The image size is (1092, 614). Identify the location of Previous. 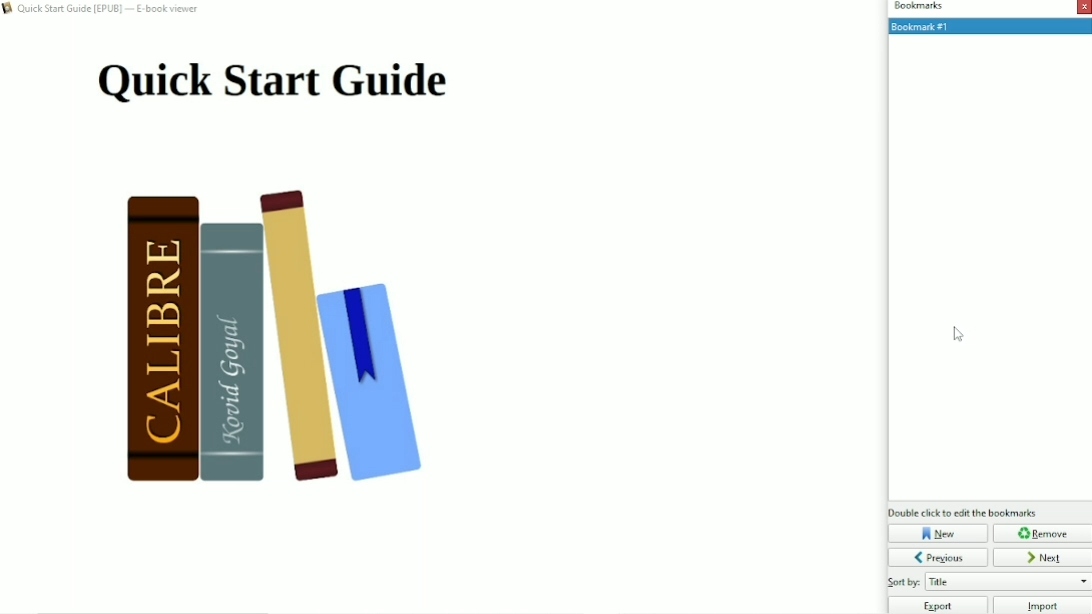
(938, 557).